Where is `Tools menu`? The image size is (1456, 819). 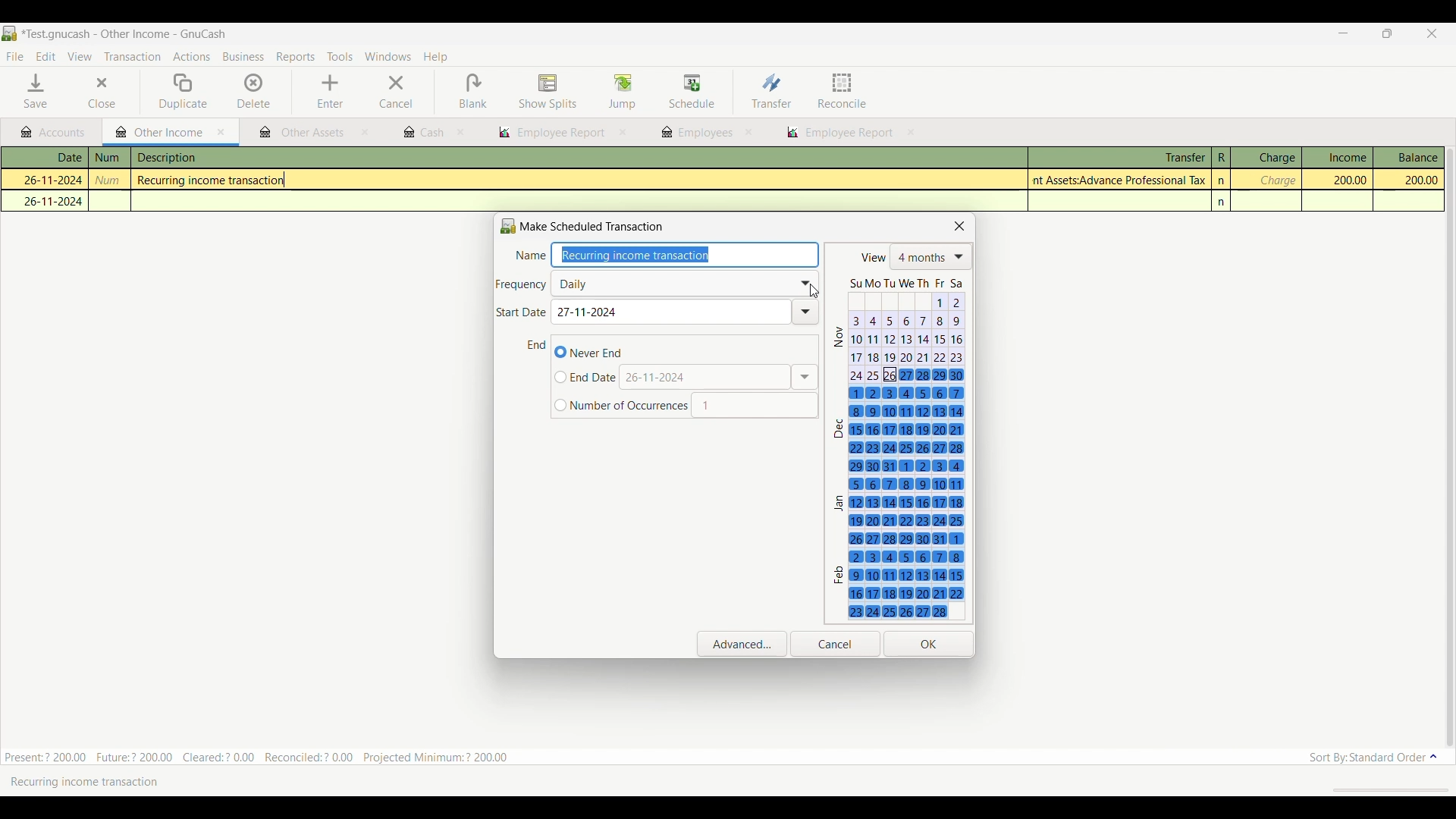
Tools menu is located at coordinates (340, 58).